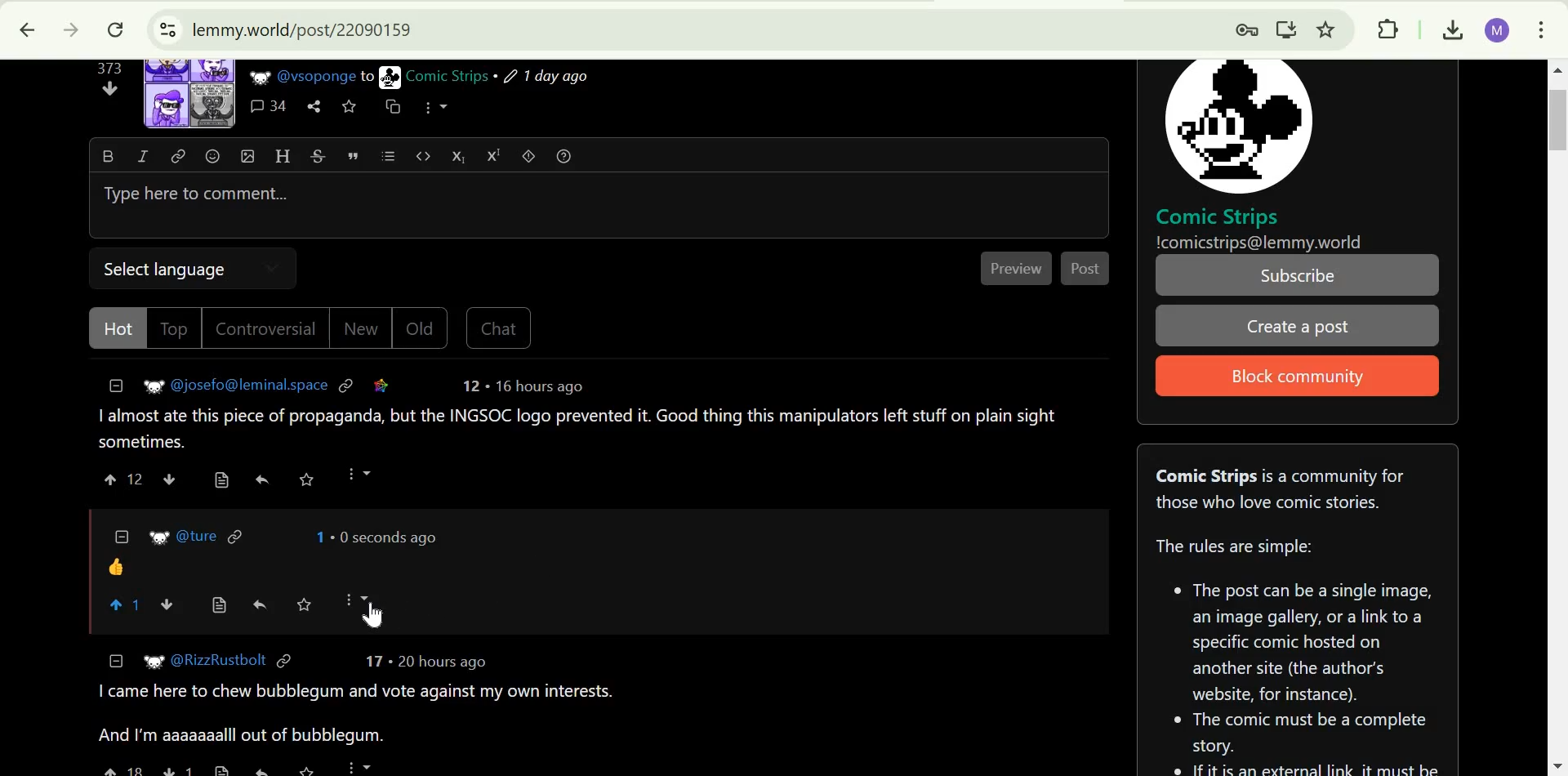 The height and width of the screenshot is (776, 1568). What do you see at coordinates (385, 537) in the screenshot?
I see `0 seconds ago` at bounding box center [385, 537].